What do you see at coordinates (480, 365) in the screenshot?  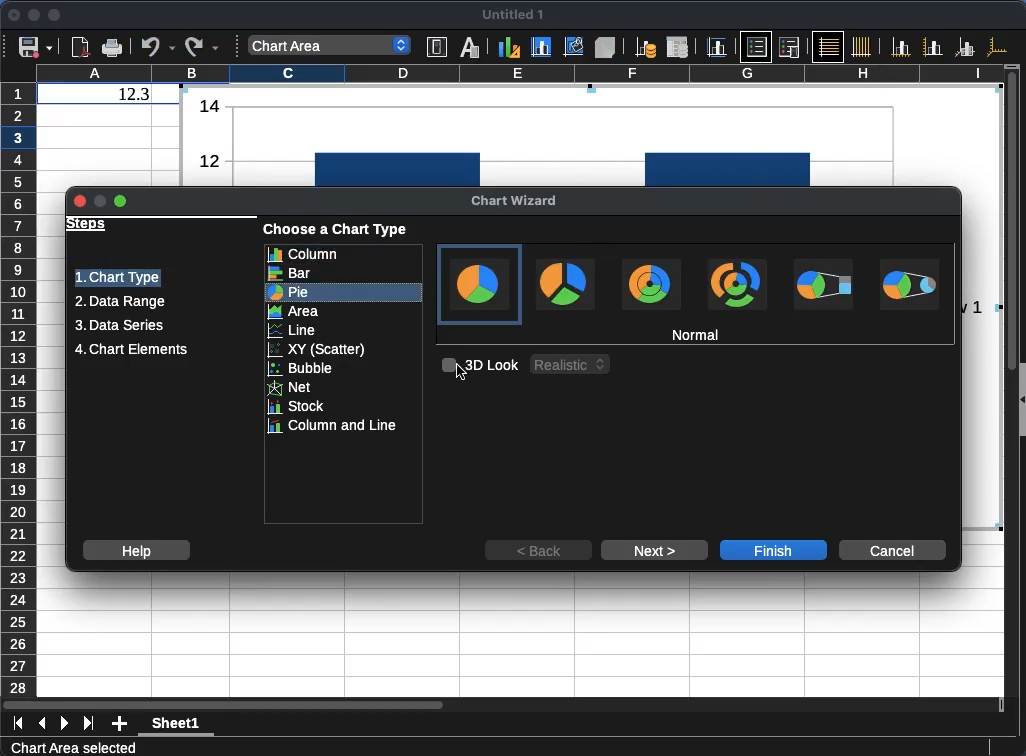 I see `3d look` at bounding box center [480, 365].